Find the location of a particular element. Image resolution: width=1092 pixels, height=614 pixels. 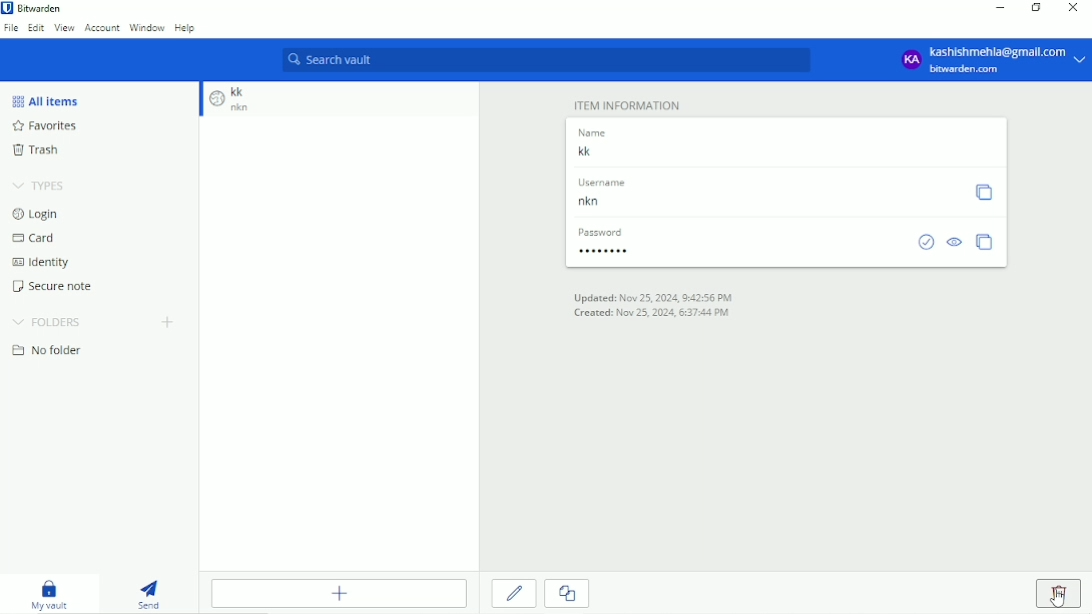

Account is located at coordinates (102, 28).